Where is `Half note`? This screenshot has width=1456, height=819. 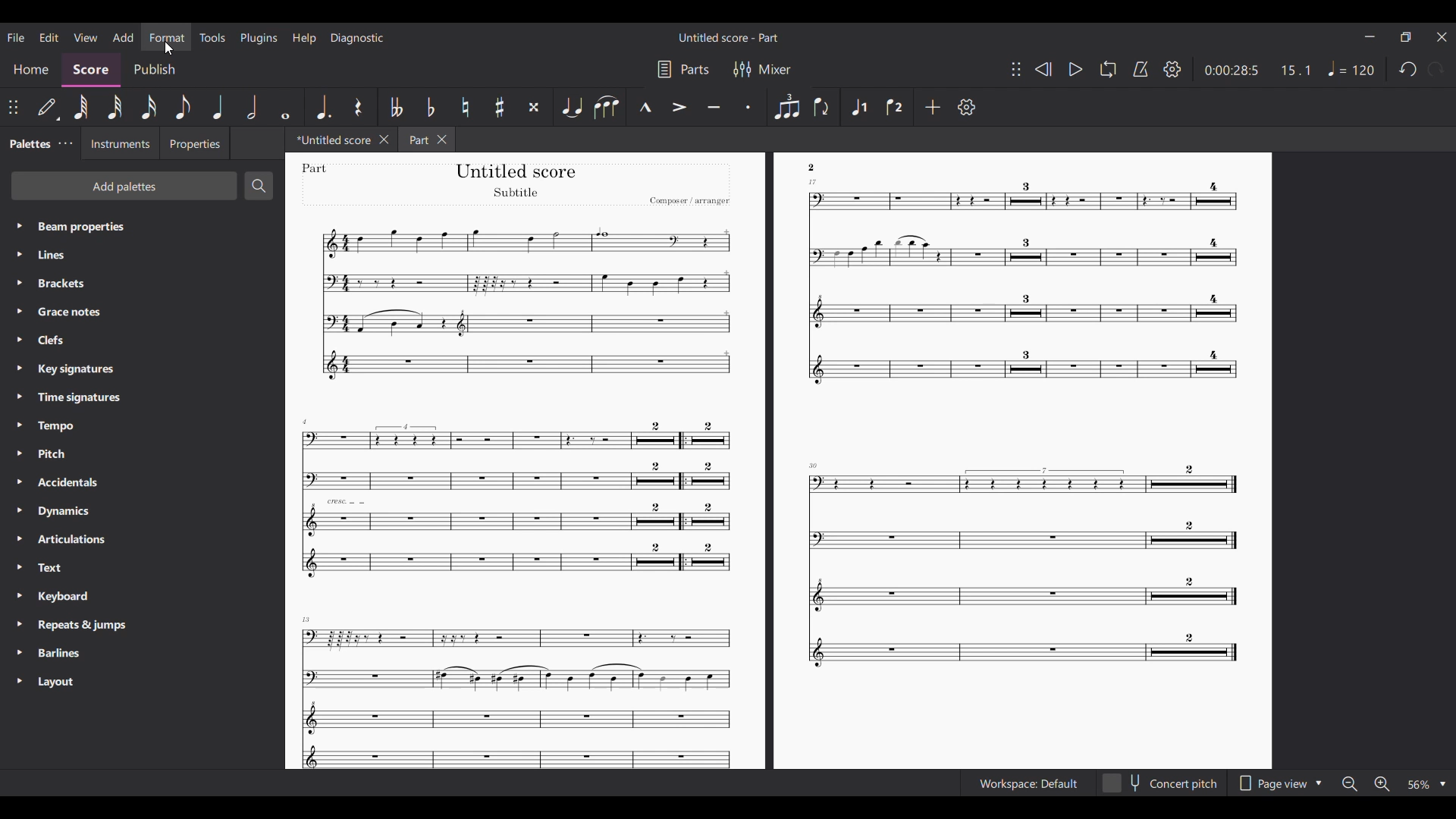
Half note is located at coordinates (253, 107).